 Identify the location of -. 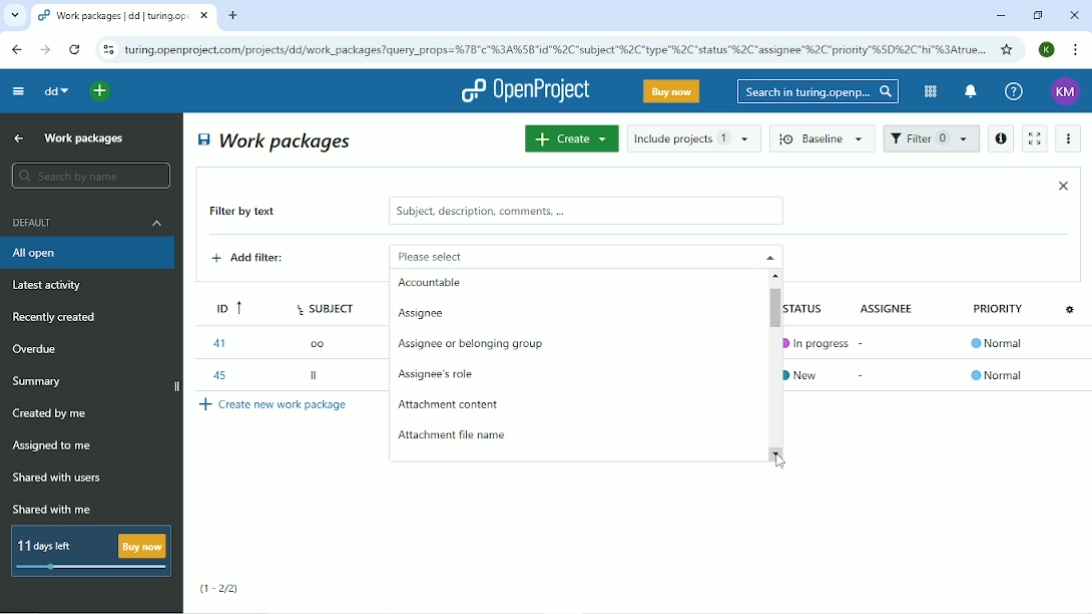
(864, 340).